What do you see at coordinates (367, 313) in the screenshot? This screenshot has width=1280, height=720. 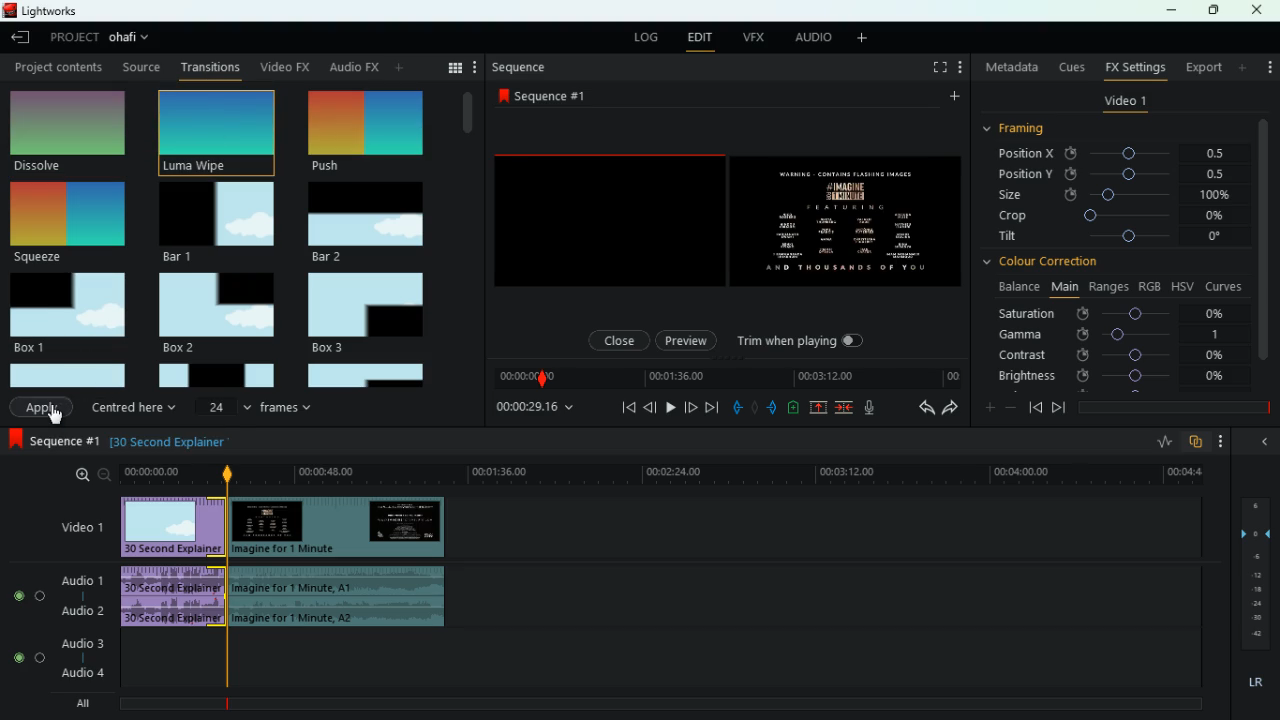 I see `box 3` at bounding box center [367, 313].